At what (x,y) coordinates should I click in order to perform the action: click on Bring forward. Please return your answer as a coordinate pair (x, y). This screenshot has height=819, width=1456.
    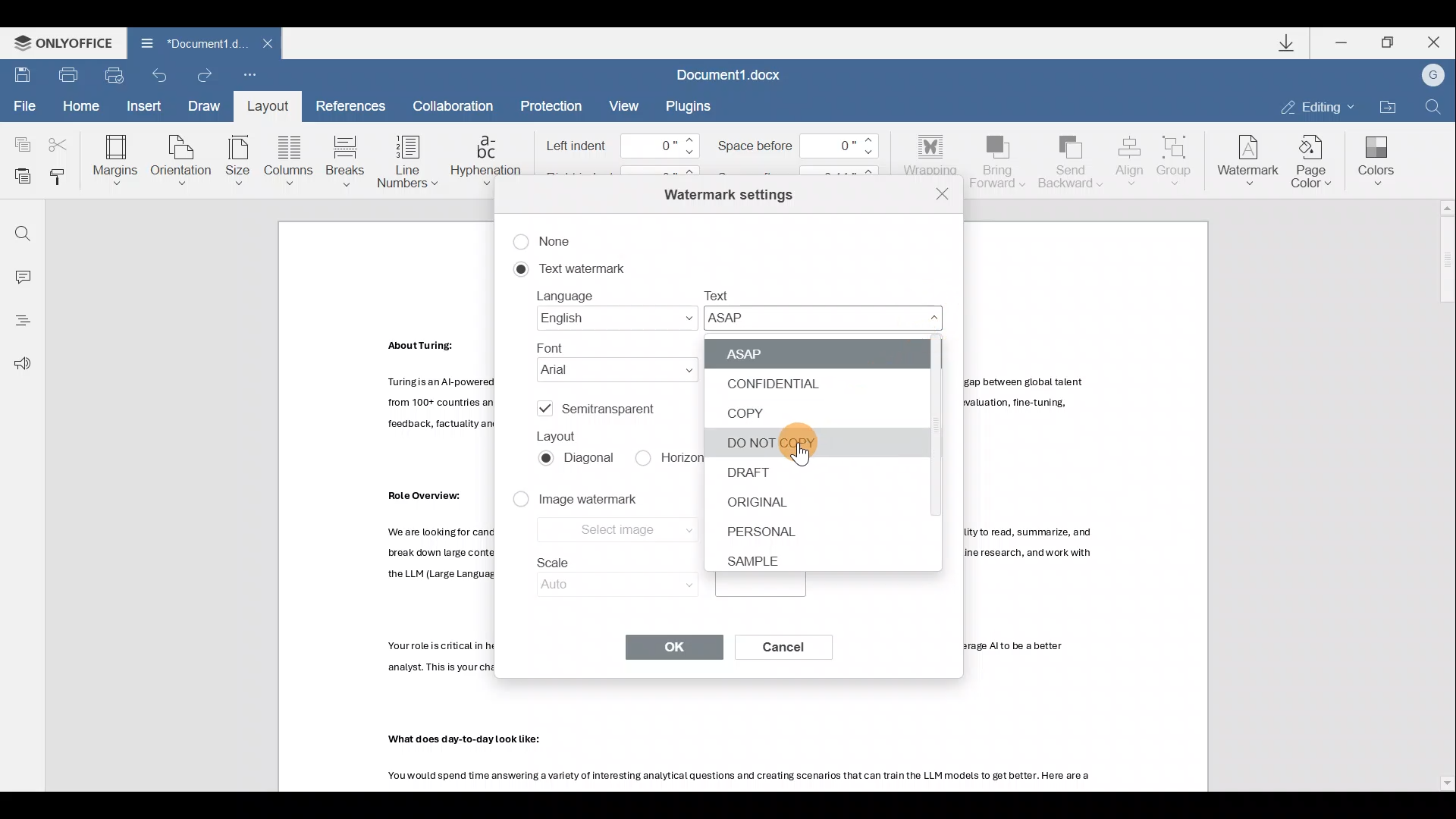
    Looking at the image, I should click on (999, 164).